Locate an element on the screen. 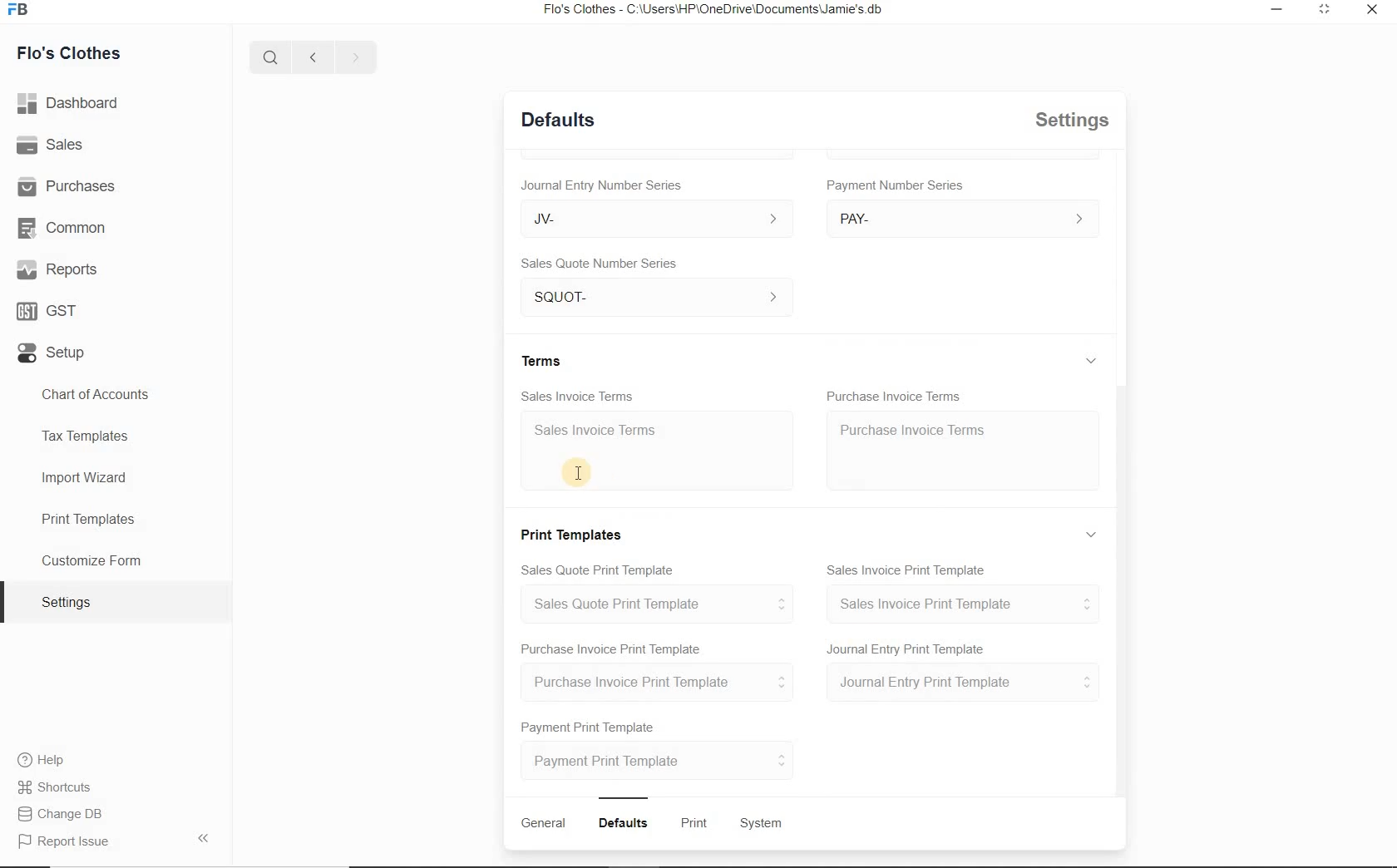  Journal Entry Number Series is located at coordinates (601, 185).